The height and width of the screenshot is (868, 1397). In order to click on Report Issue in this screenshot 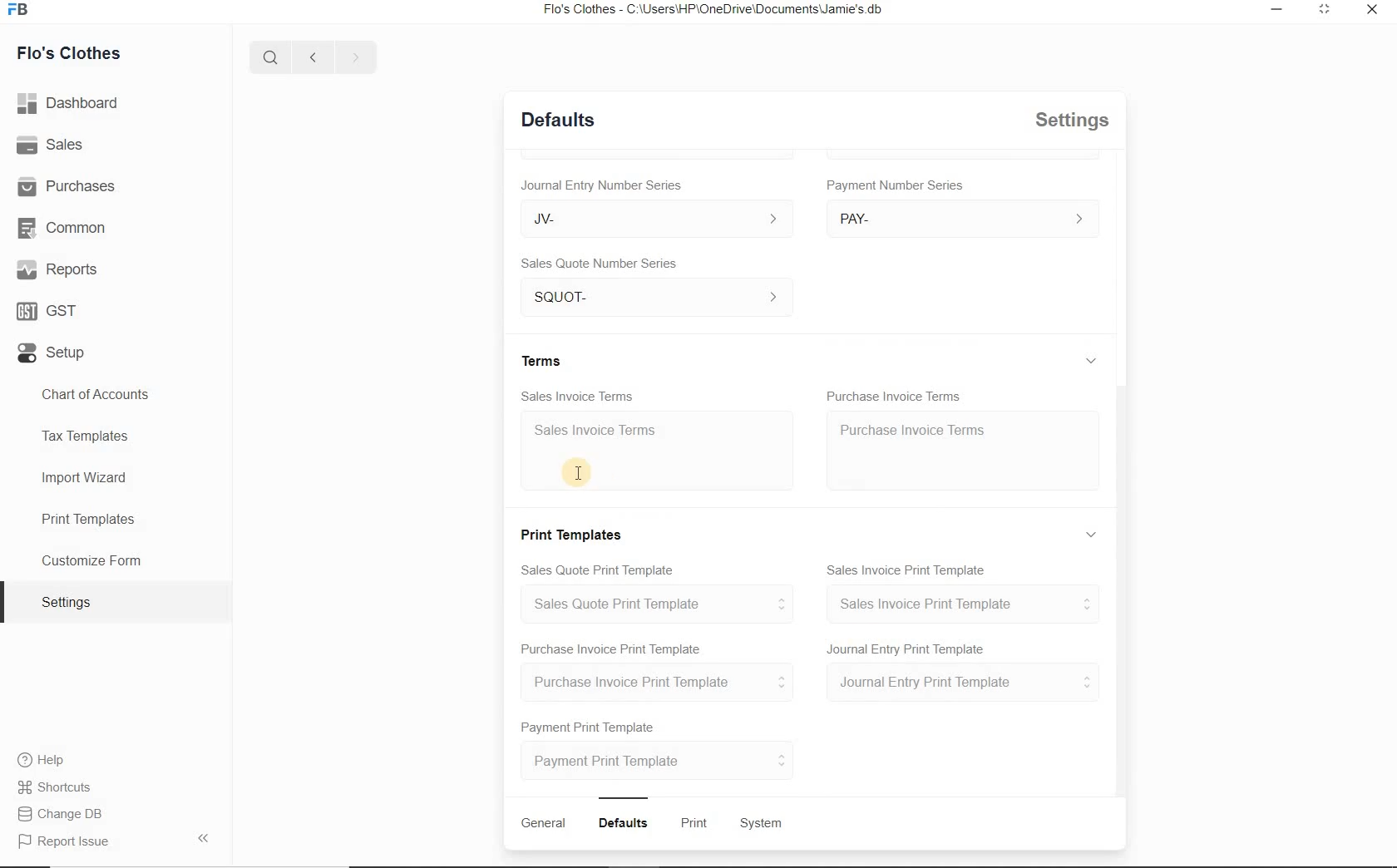, I will do `click(115, 839)`.